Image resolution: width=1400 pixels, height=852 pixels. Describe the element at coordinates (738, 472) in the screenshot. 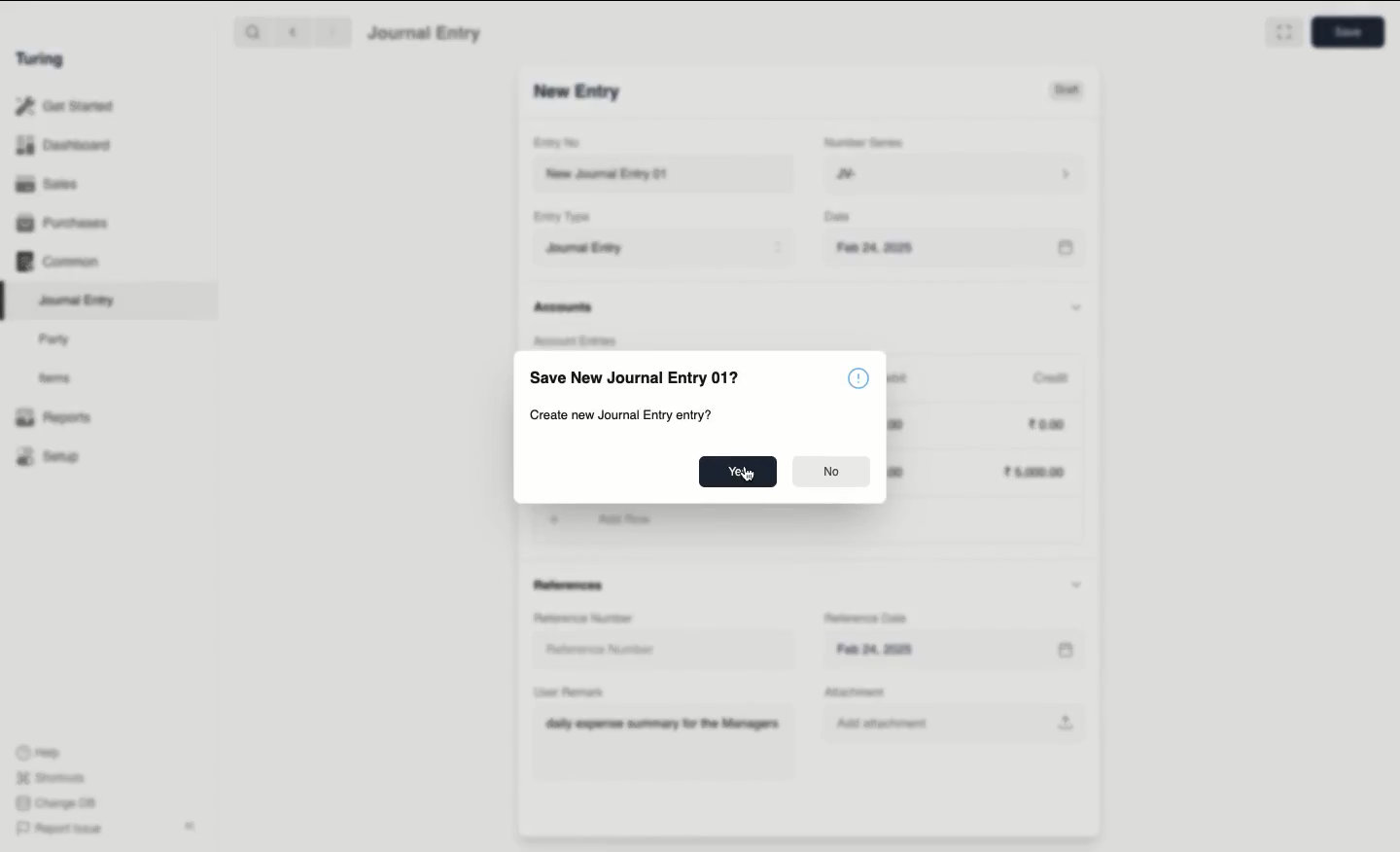

I see `Yes` at that location.